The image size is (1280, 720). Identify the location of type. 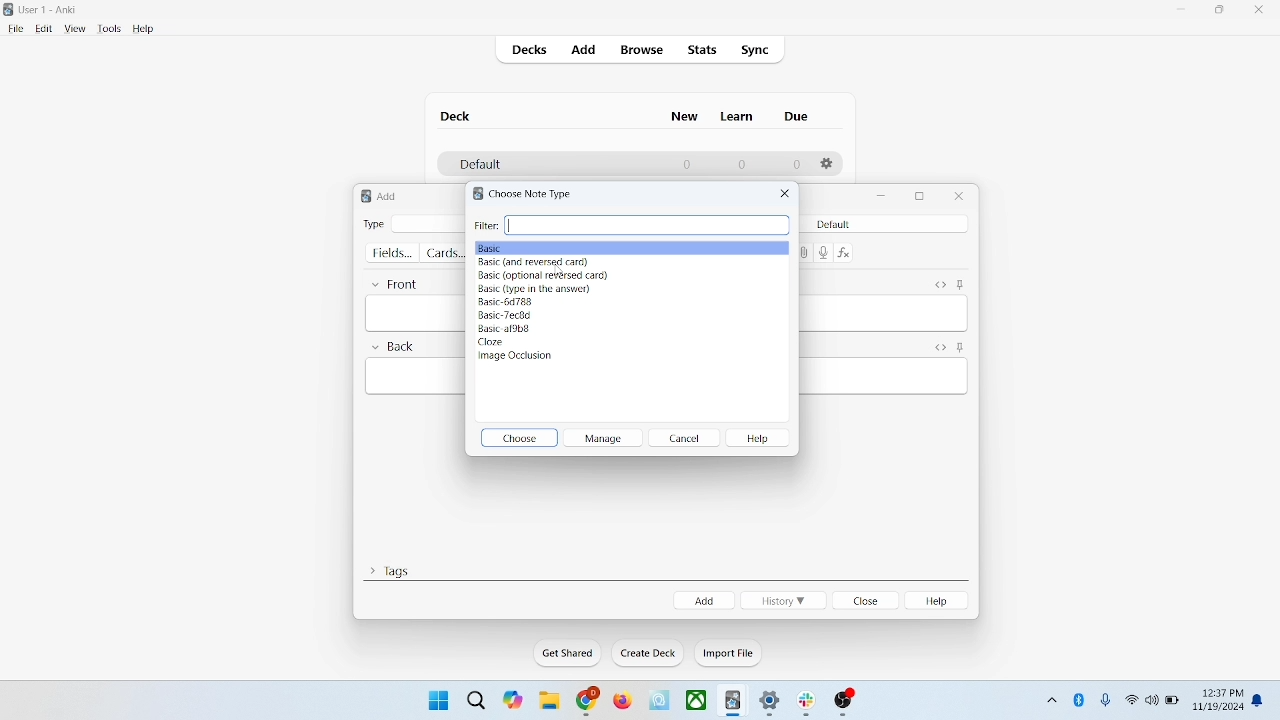
(373, 223).